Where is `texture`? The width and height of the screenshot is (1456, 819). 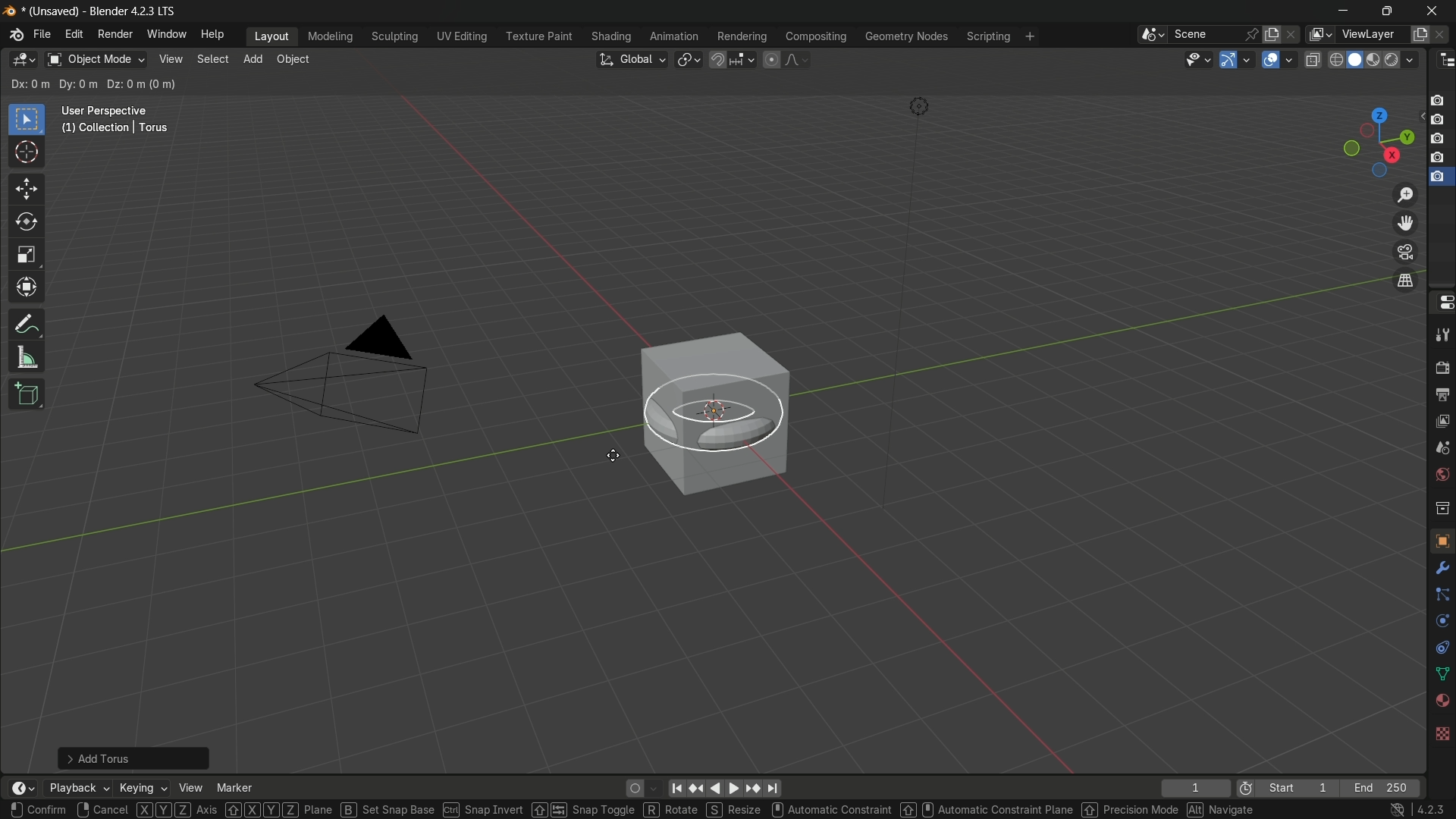 texture is located at coordinates (1442, 733).